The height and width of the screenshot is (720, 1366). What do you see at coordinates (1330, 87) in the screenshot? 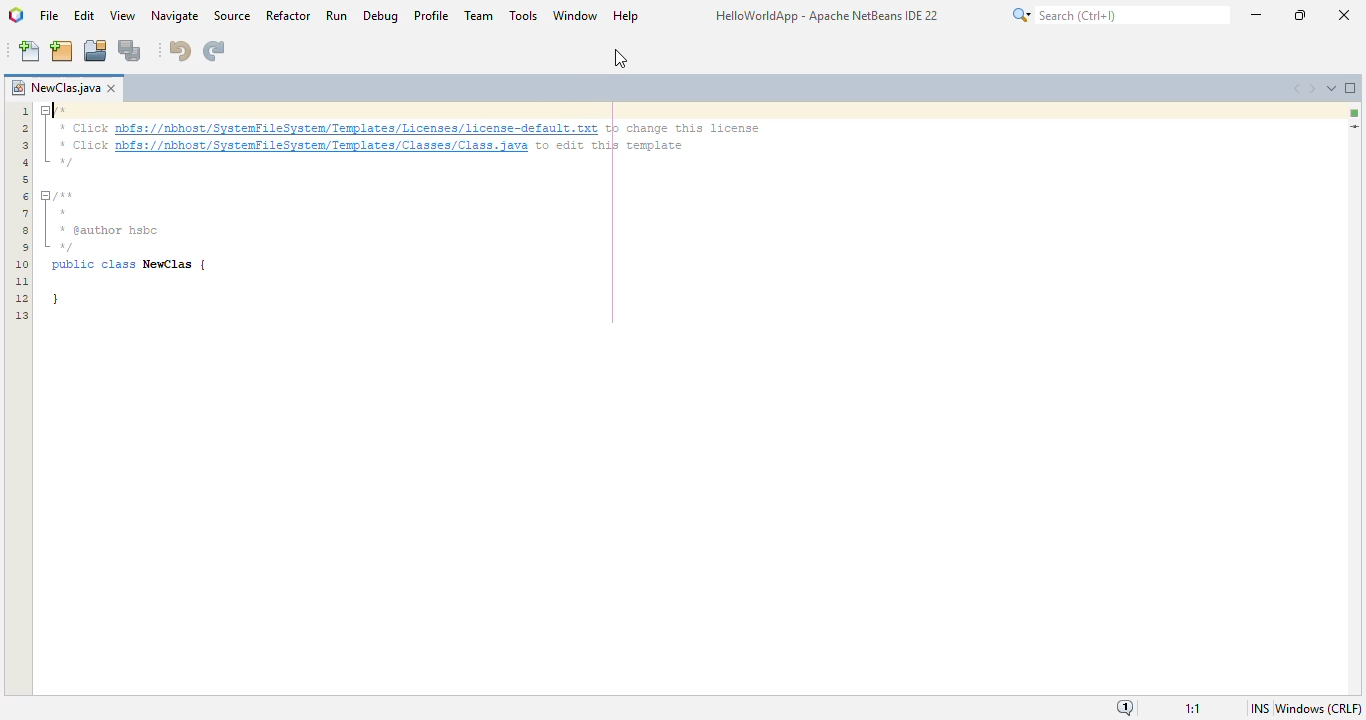
I see `show opened documents list` at bounding box center [1330, 87].